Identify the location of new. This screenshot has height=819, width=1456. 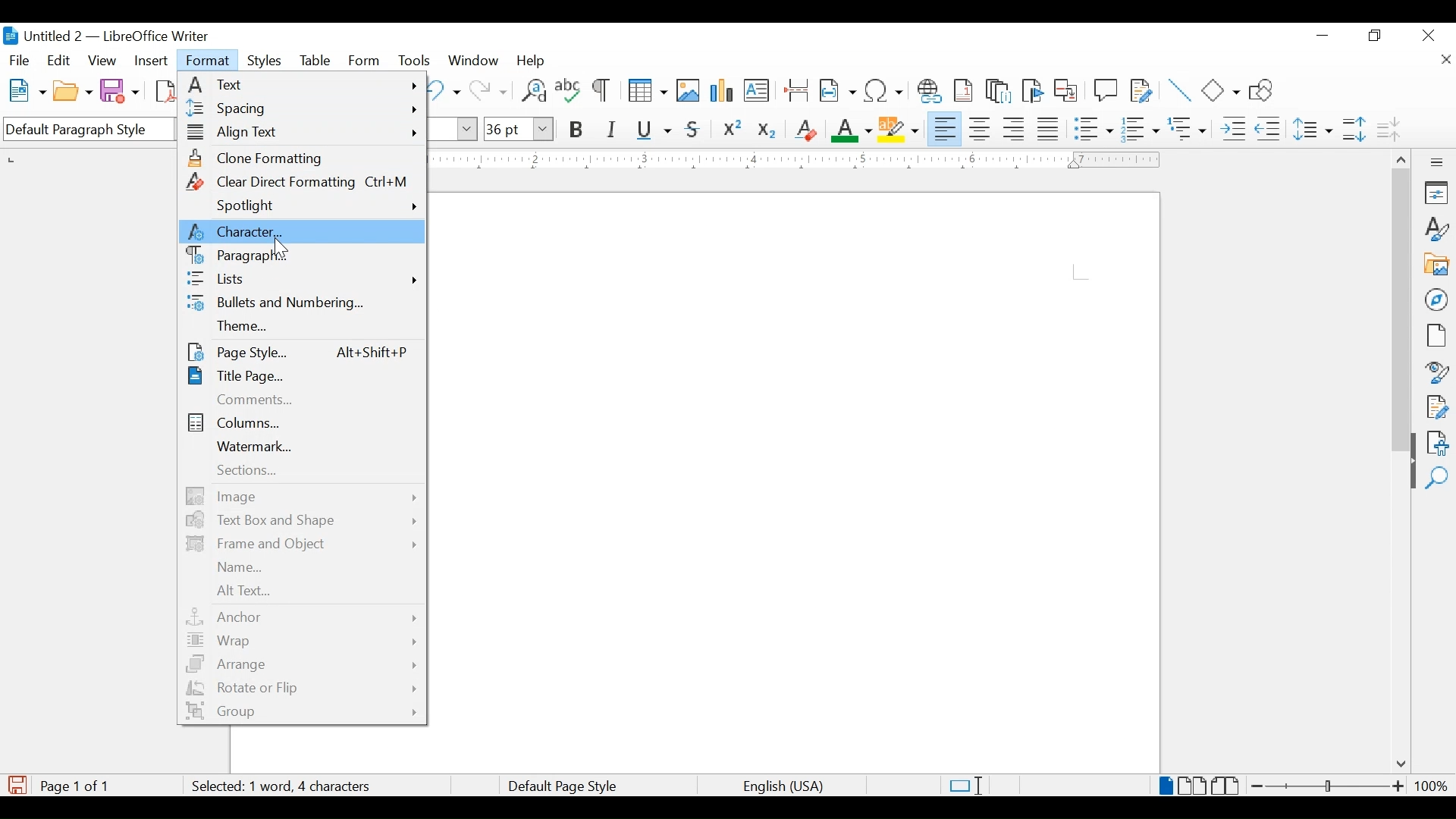
(28, 90).